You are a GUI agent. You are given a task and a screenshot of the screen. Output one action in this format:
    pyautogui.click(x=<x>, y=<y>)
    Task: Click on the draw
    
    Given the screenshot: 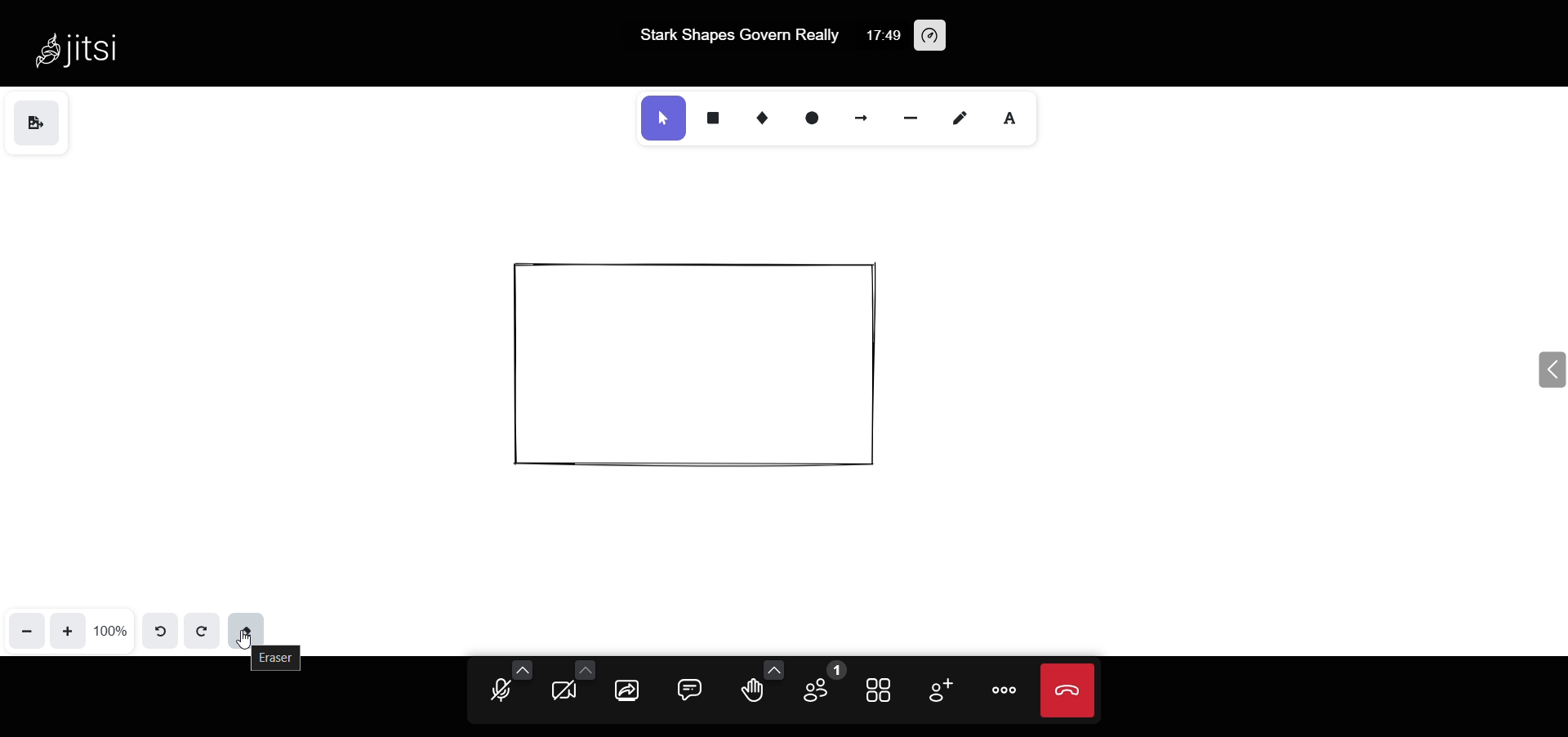 What is the action you would take?
    pyautogui.click(x=961, y=118)
    